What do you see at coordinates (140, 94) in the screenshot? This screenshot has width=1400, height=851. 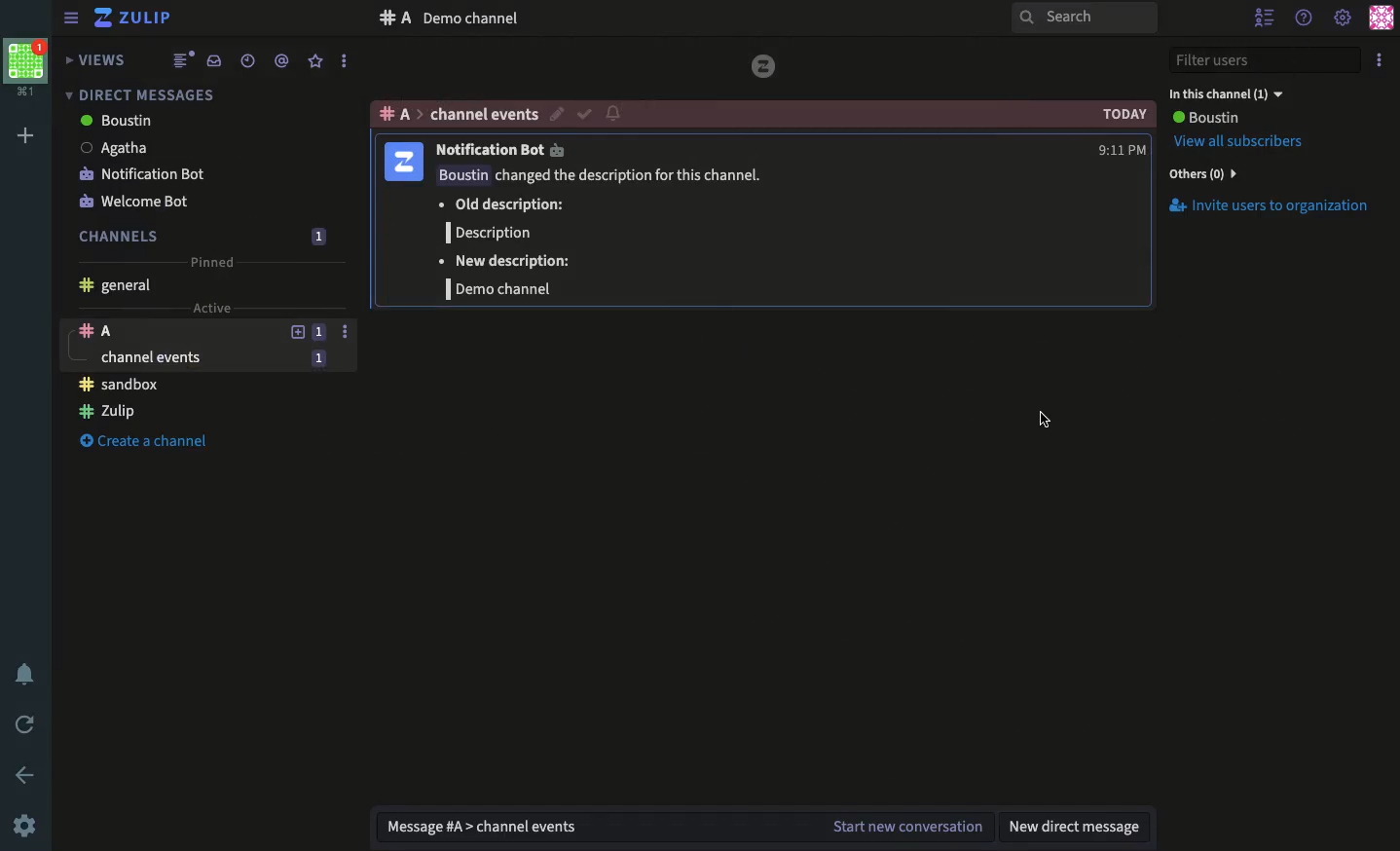 I see `DM` at bounding box center [140, 94].